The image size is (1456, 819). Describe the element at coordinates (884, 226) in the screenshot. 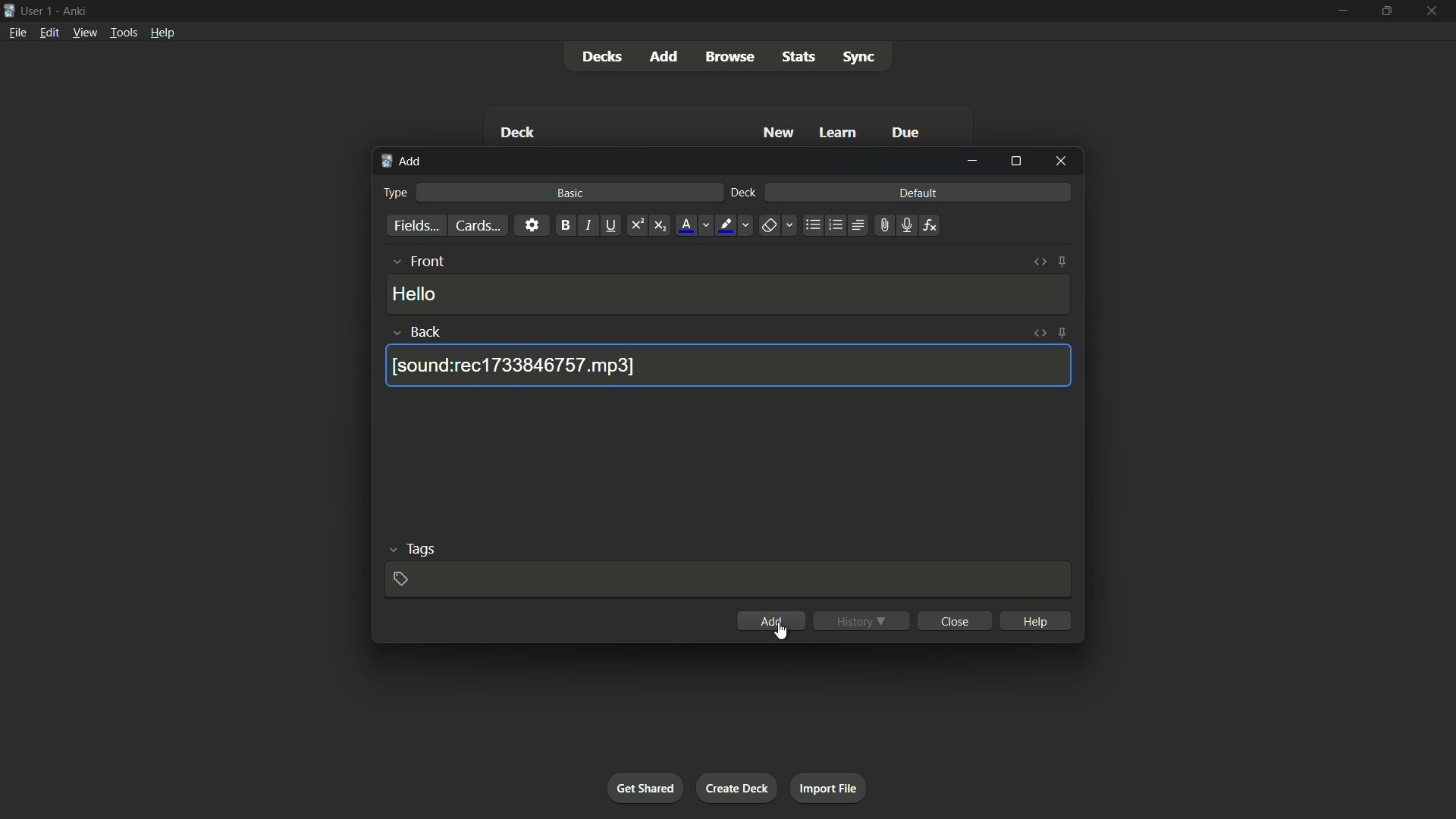

I see `attach file` at that location.